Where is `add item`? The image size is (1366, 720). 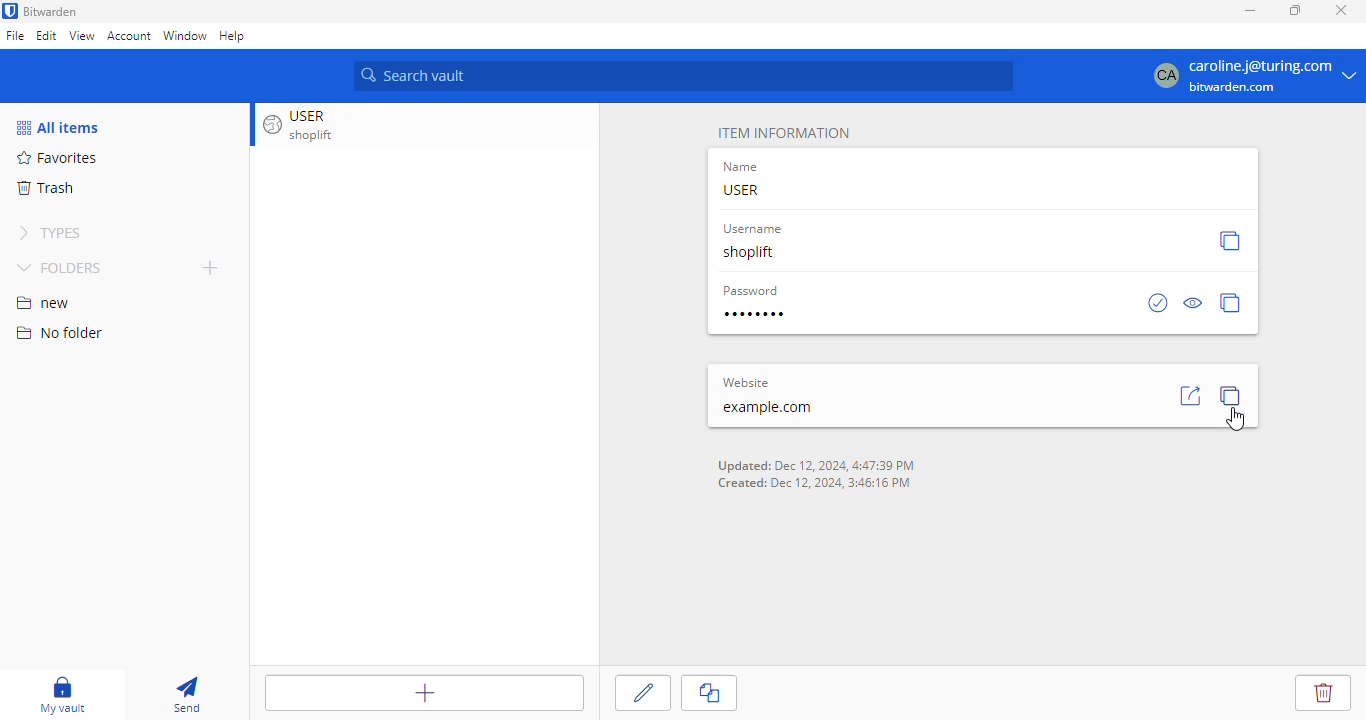 add item is located at coordinates (423, 692).